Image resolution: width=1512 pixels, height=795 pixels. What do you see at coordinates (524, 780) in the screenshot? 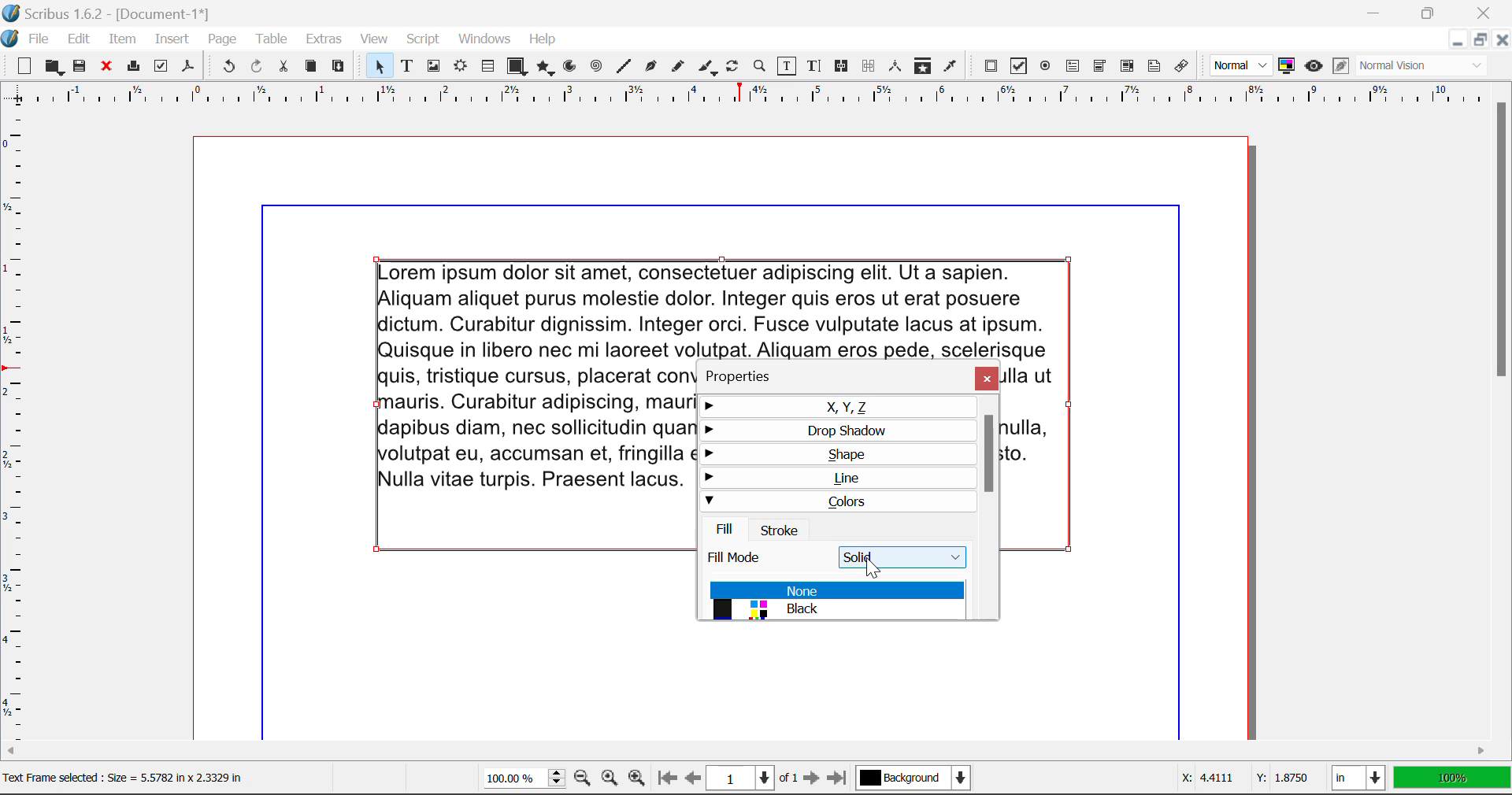
I see `Zoom 100%` at bounding box center [524, 780].